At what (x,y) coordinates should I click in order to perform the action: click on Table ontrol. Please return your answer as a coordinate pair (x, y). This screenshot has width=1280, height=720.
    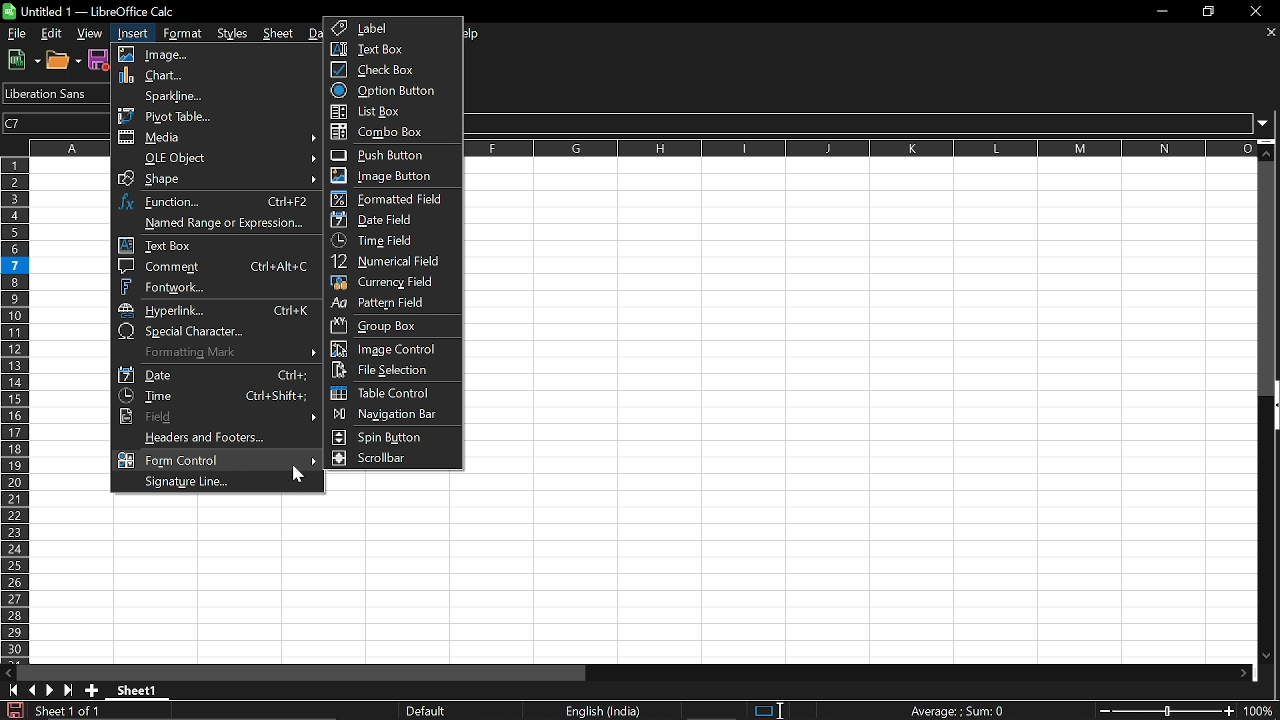
    Looking at the image, I should click on (389, 393).